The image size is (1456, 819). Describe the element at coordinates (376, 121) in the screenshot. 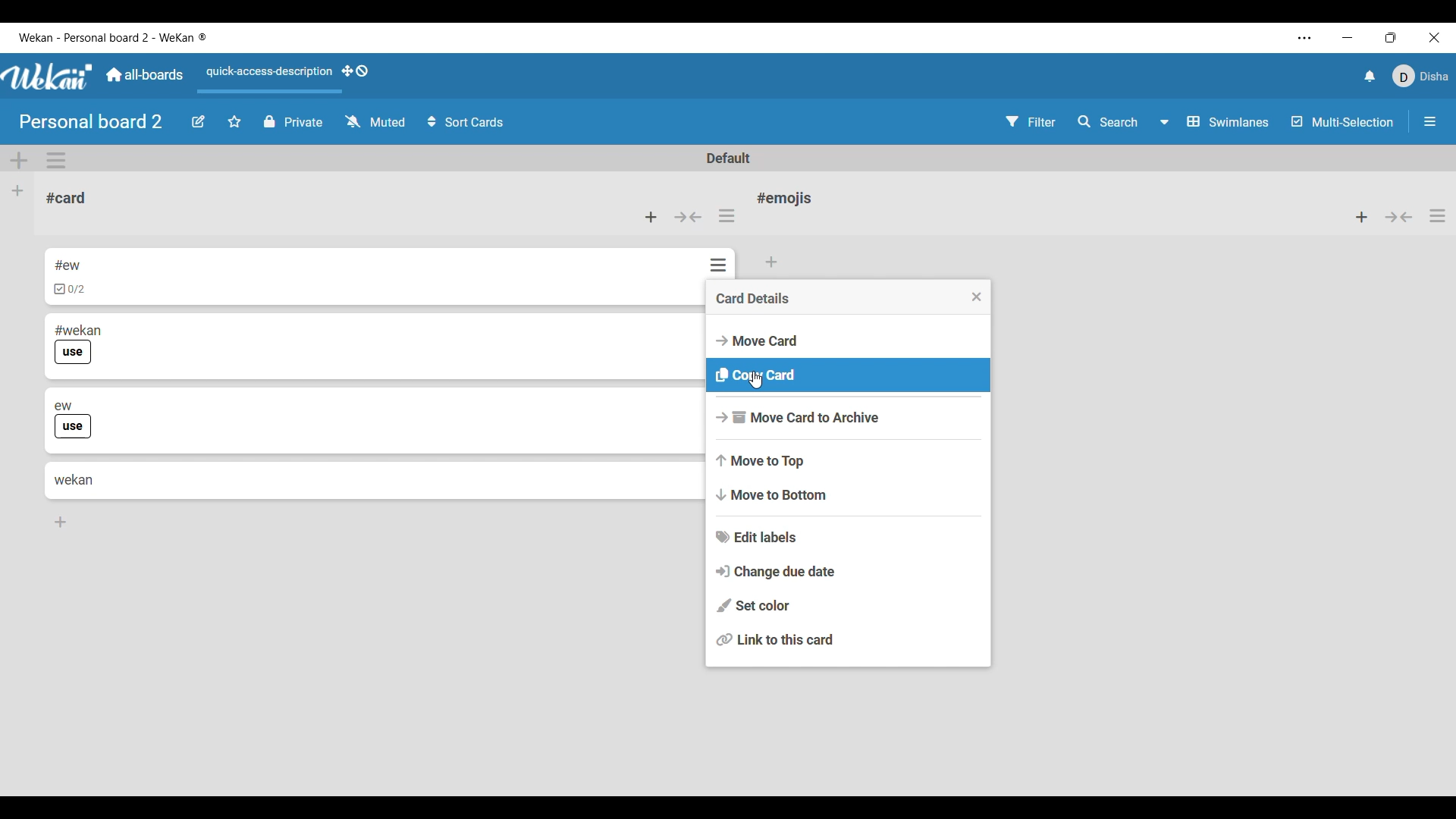

I see `Watch options` at that location.